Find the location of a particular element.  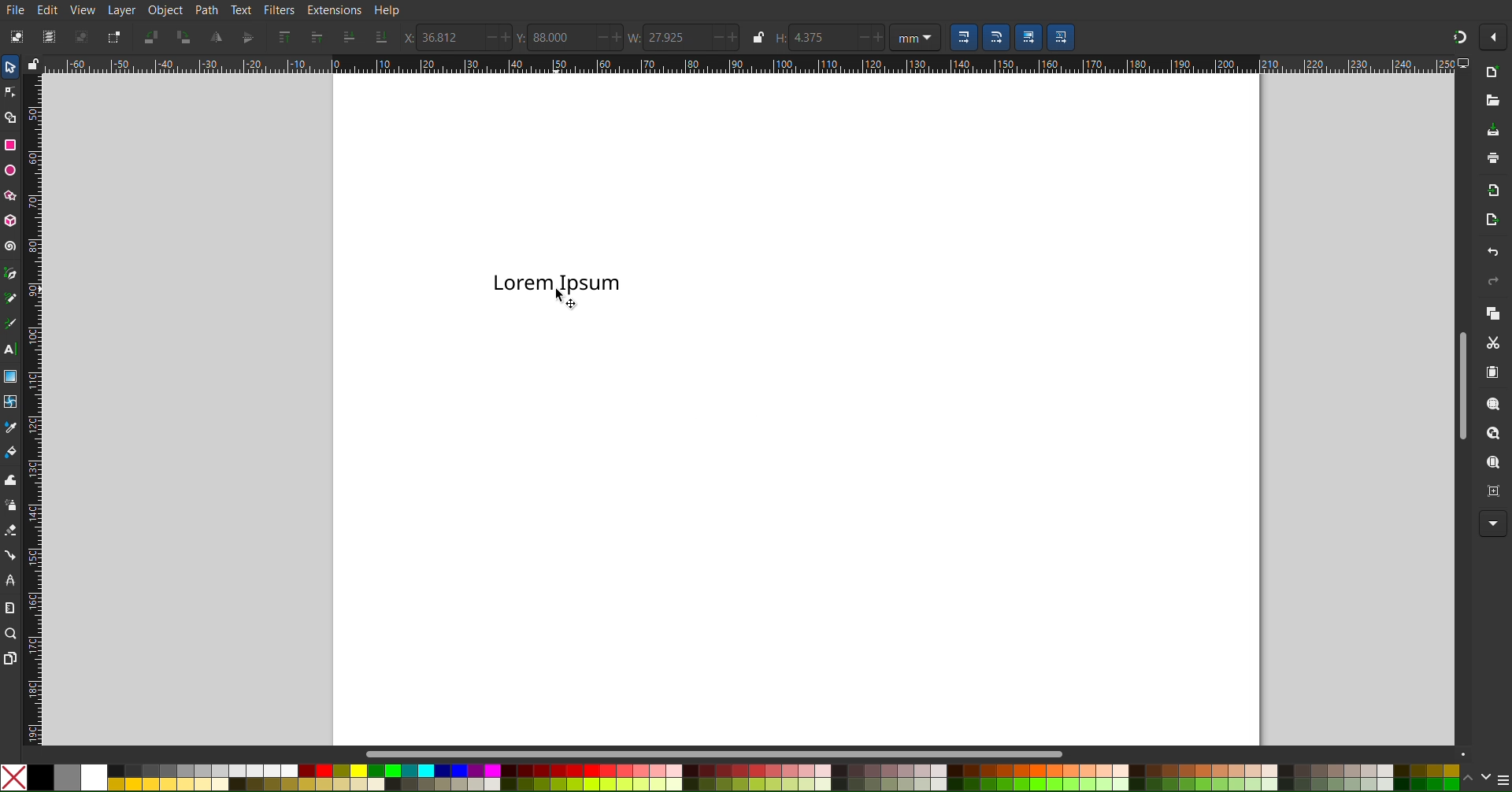

Move to the Bottom is located at coordinates (382, 37).